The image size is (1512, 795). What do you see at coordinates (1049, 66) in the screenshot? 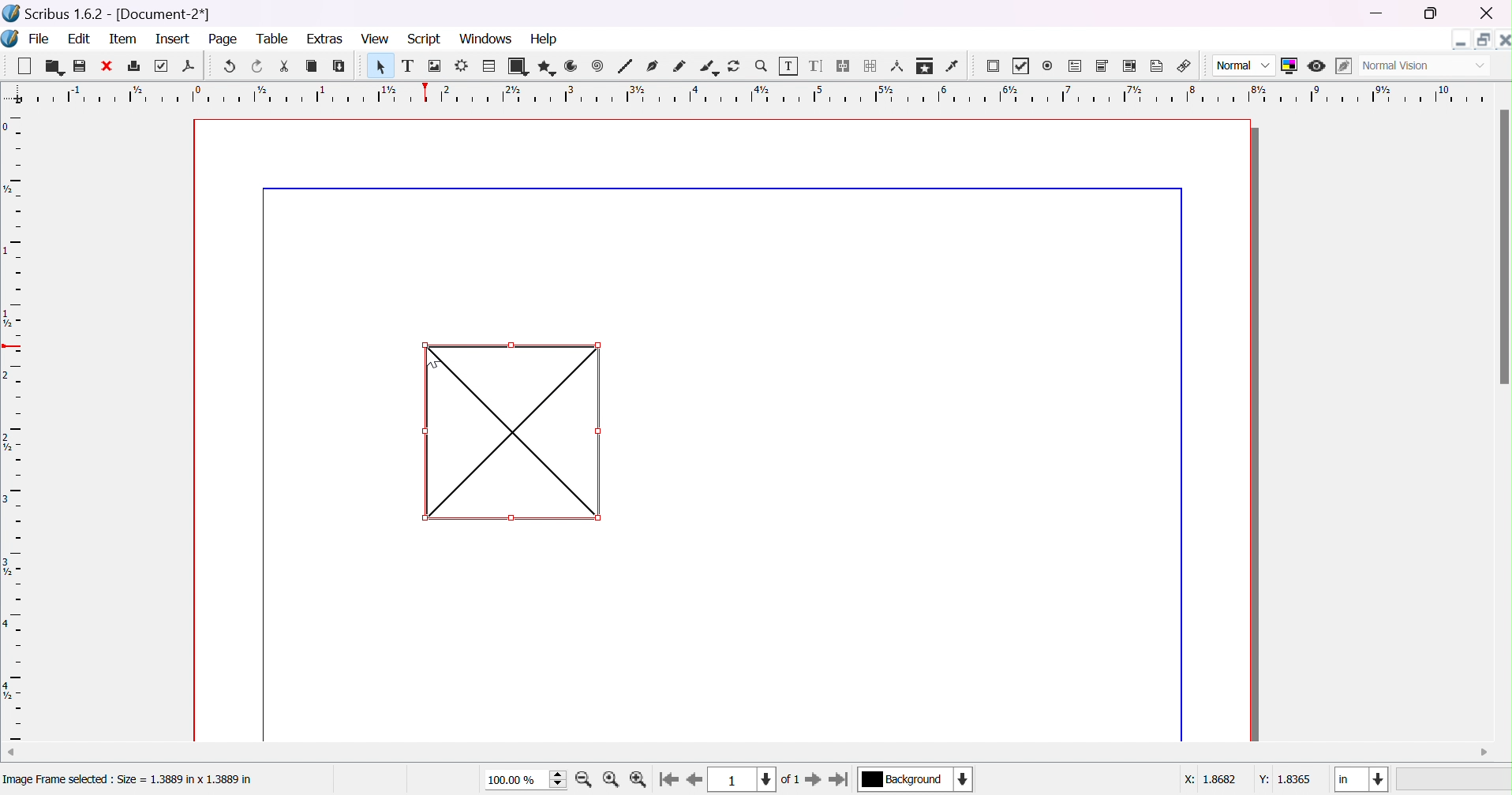
I see `radio button` at bounding box center [1049, 66].